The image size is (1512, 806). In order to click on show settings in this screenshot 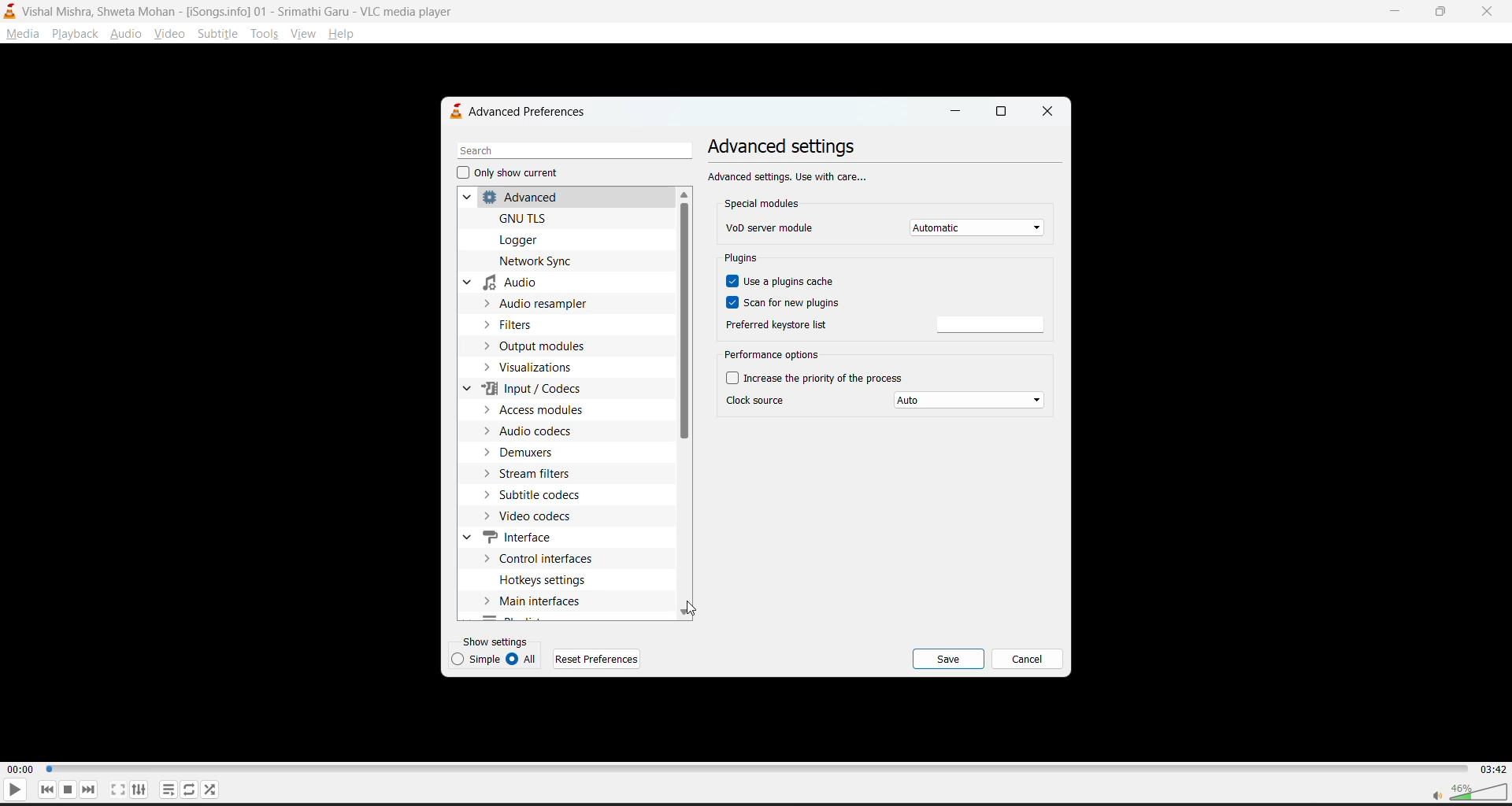, I will do `click(495, 642)`.